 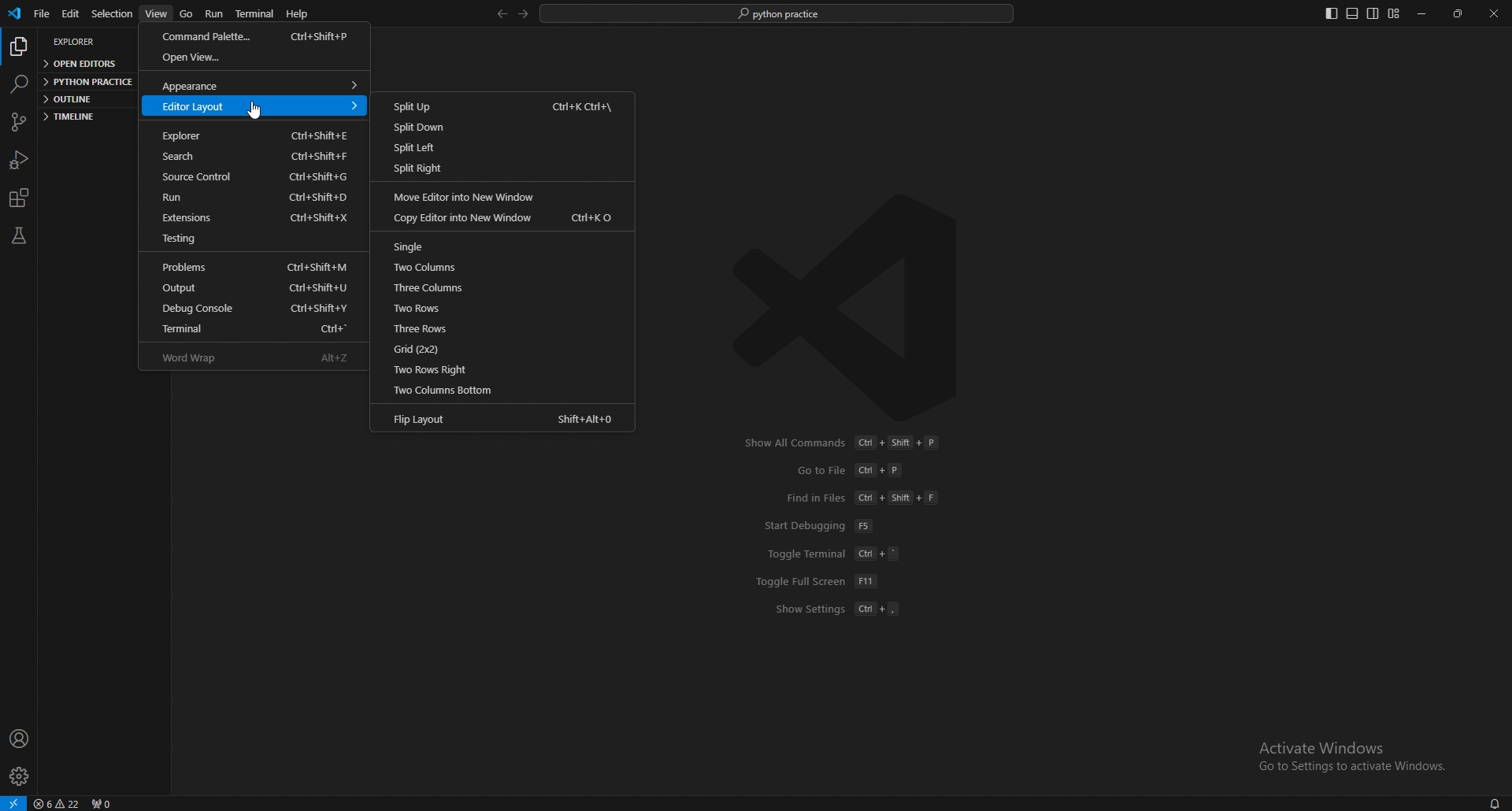 I want to click on command palette ctrl+shift+p, so click(x=250, y=36).